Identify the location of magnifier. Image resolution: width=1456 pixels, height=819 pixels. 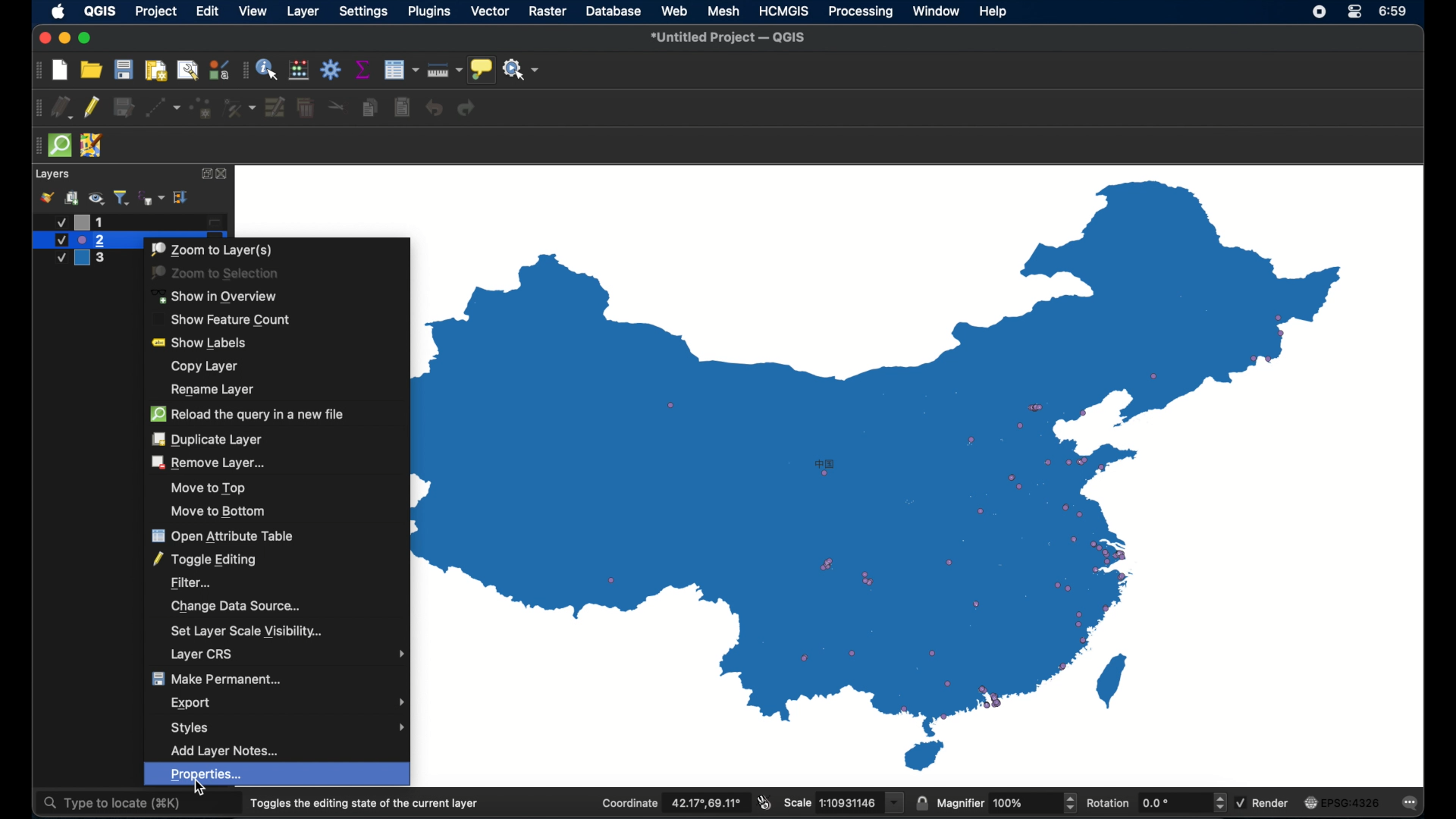
(1006, 803).